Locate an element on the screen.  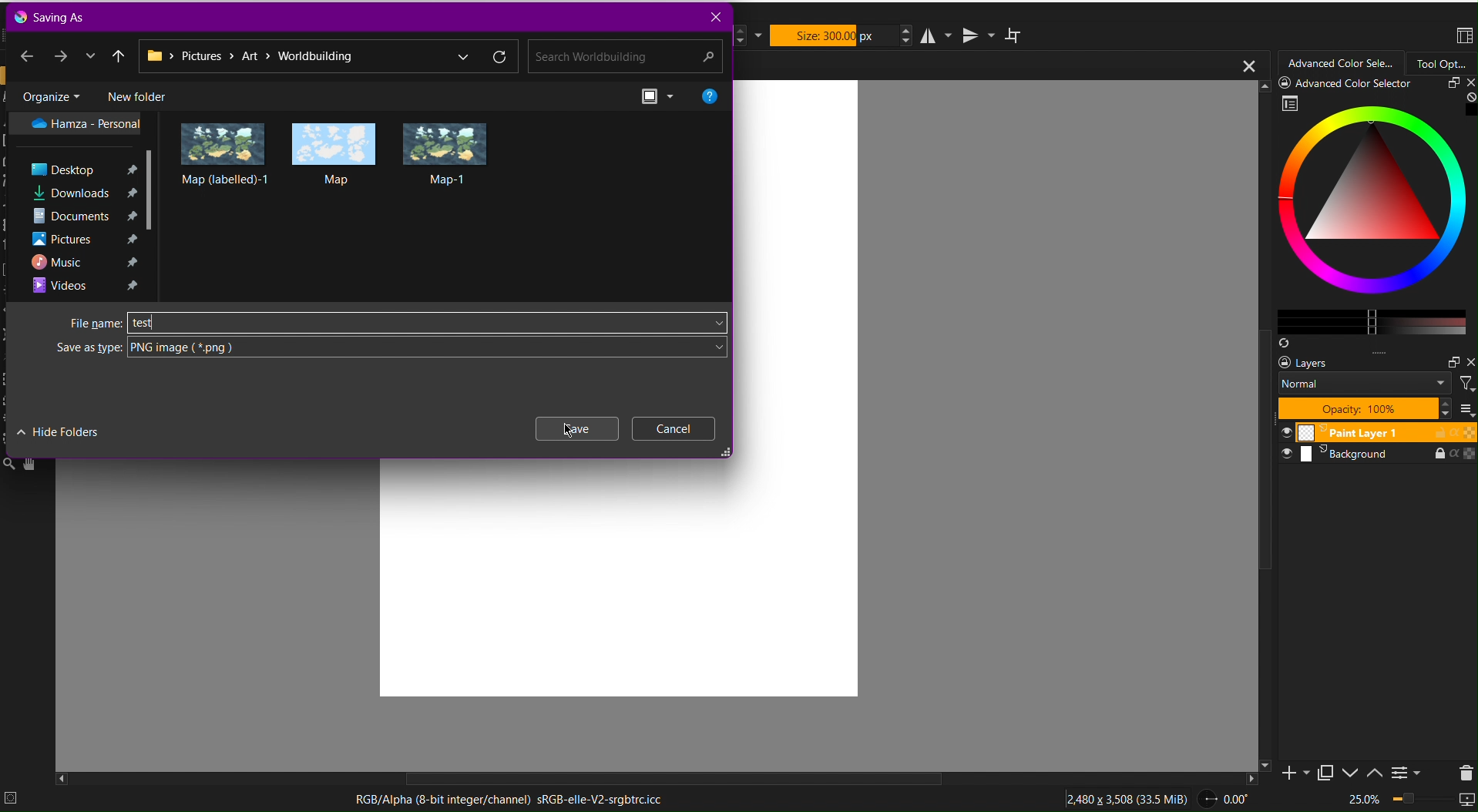
Back is located at coordinates (27, 54).